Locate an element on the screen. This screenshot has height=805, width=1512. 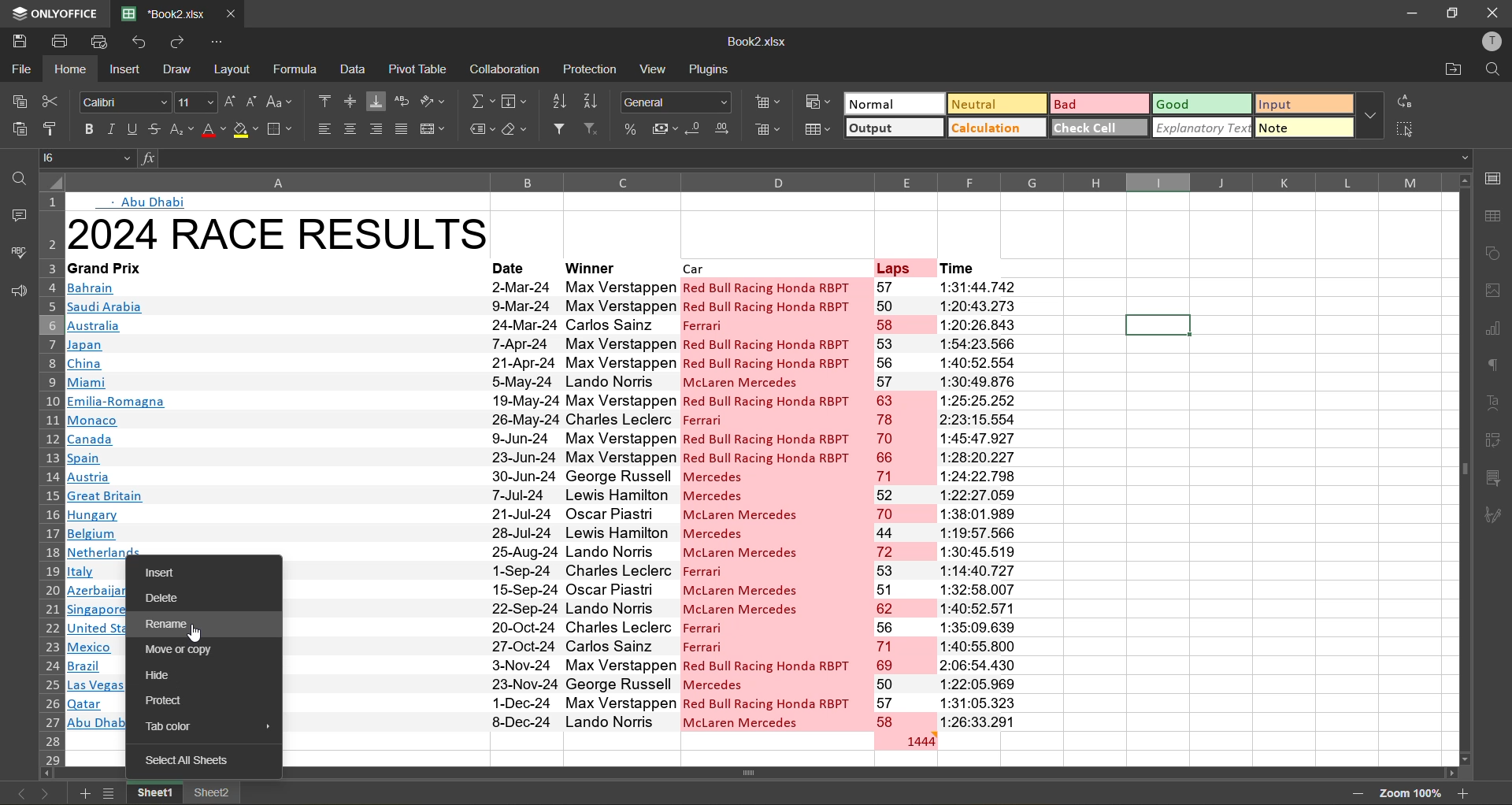
neutral is located at coordinates (995, 106).